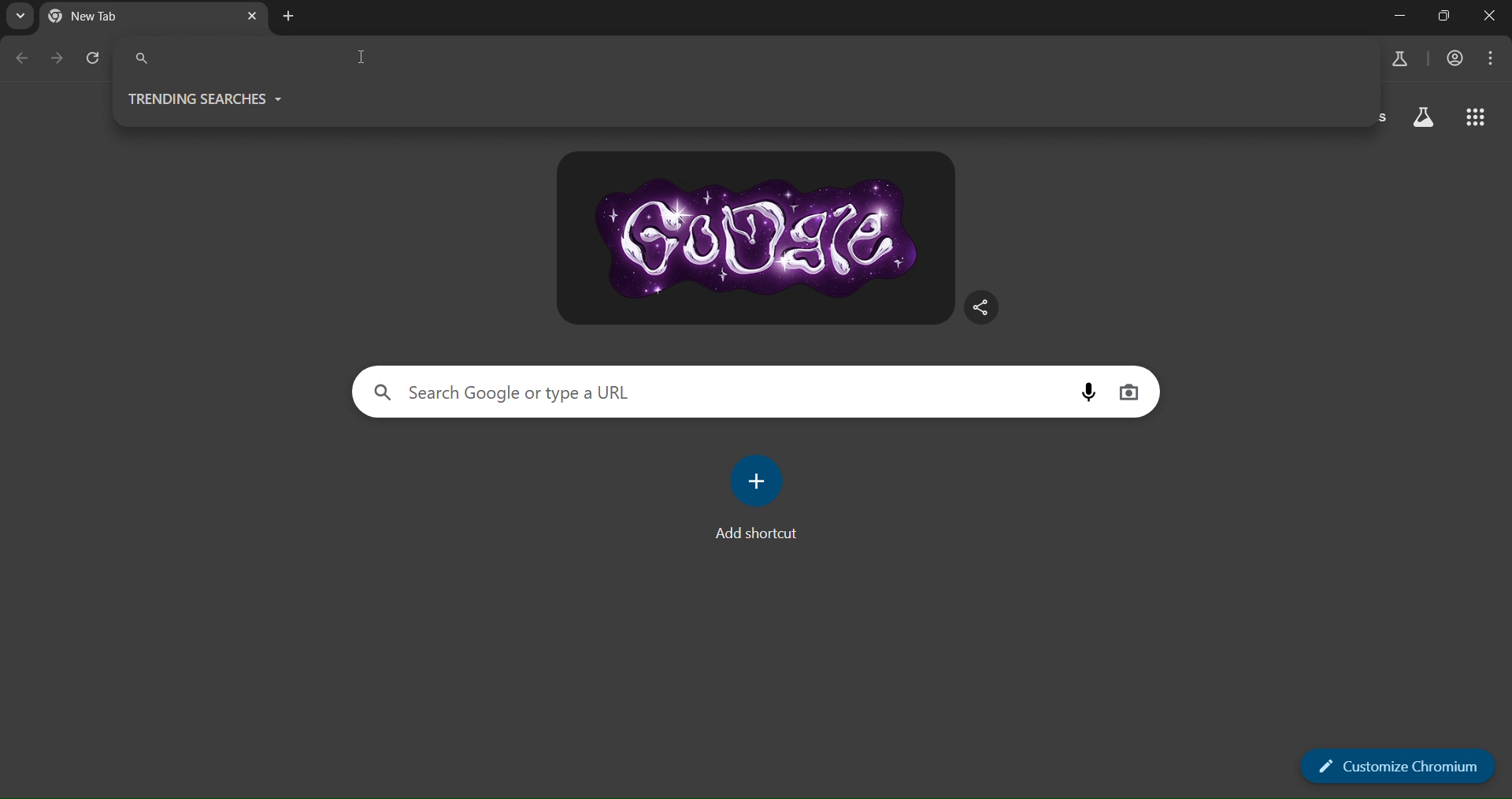 The height and width of the screenshot is (799, 1512). Describe the element at coordinates (1421, 117) in the screenshot. I see `search labs` at that location.